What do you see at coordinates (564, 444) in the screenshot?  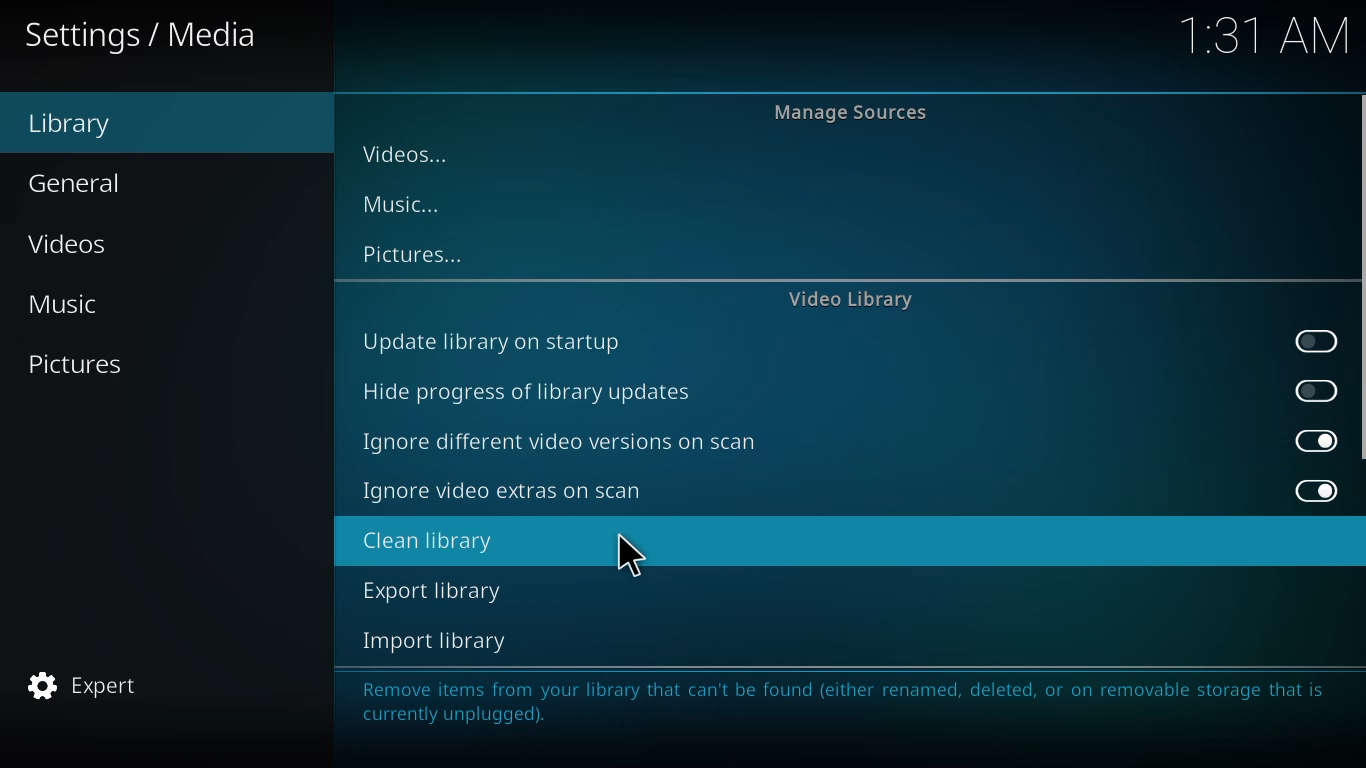 I see `ignore different video versions on scan` at bounding box center [564, 444].